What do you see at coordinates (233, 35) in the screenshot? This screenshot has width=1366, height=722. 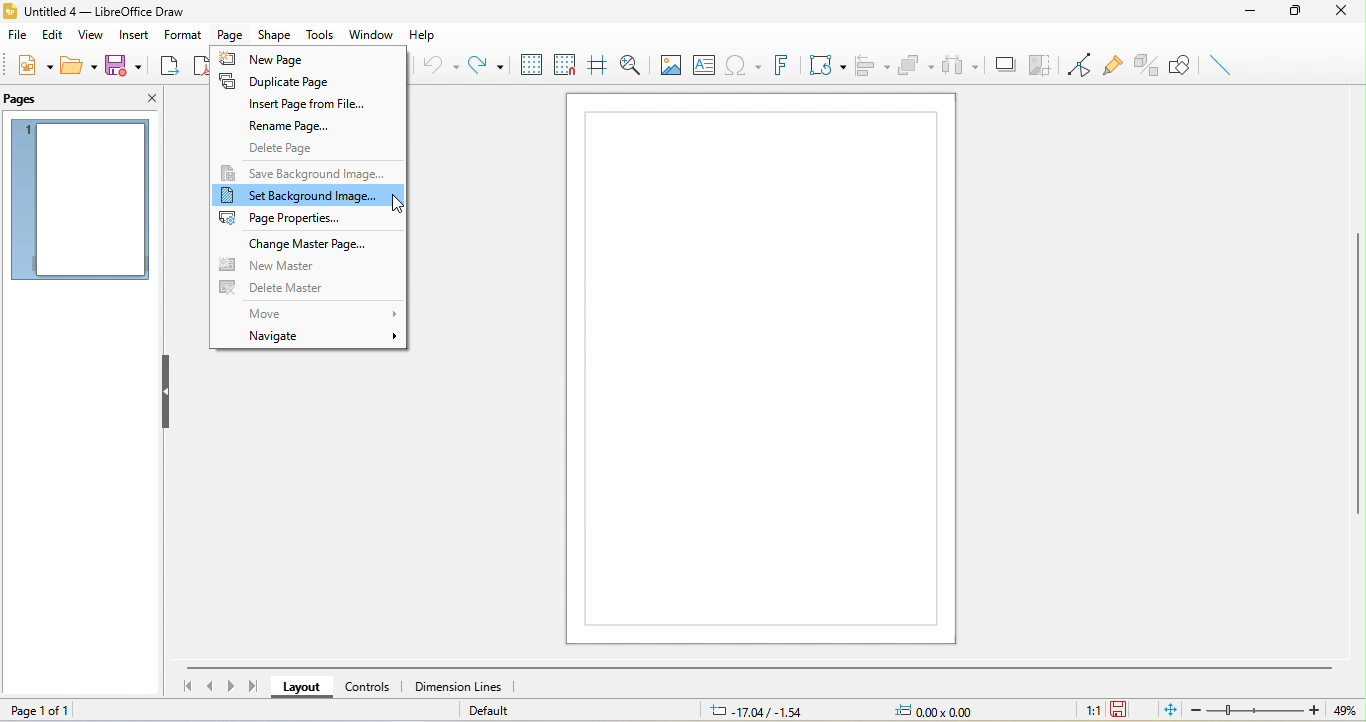 I see `page` at bounding box center [233, 35].